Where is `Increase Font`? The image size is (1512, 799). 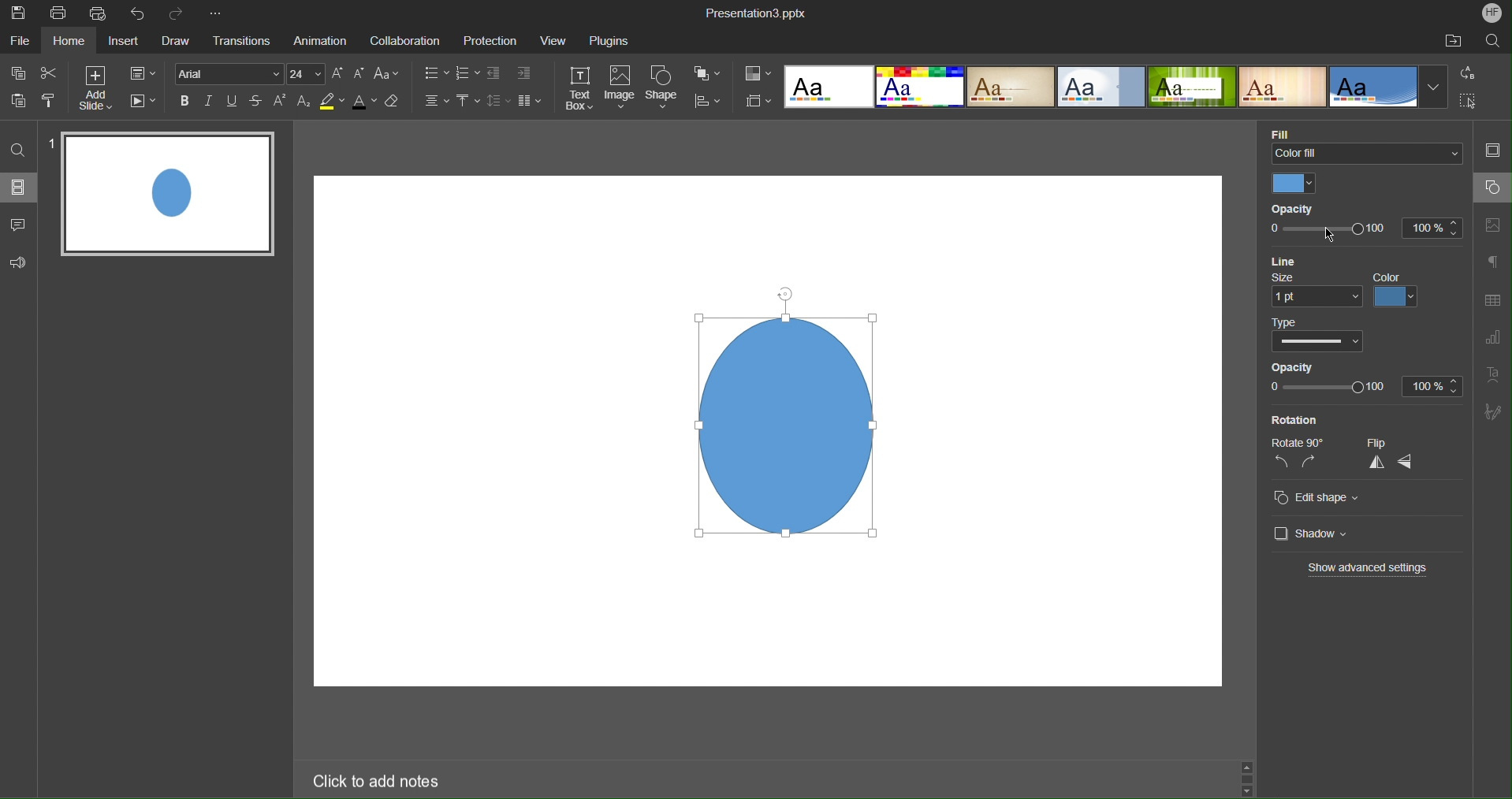 Increase Font is located at coordinates (339, 74).